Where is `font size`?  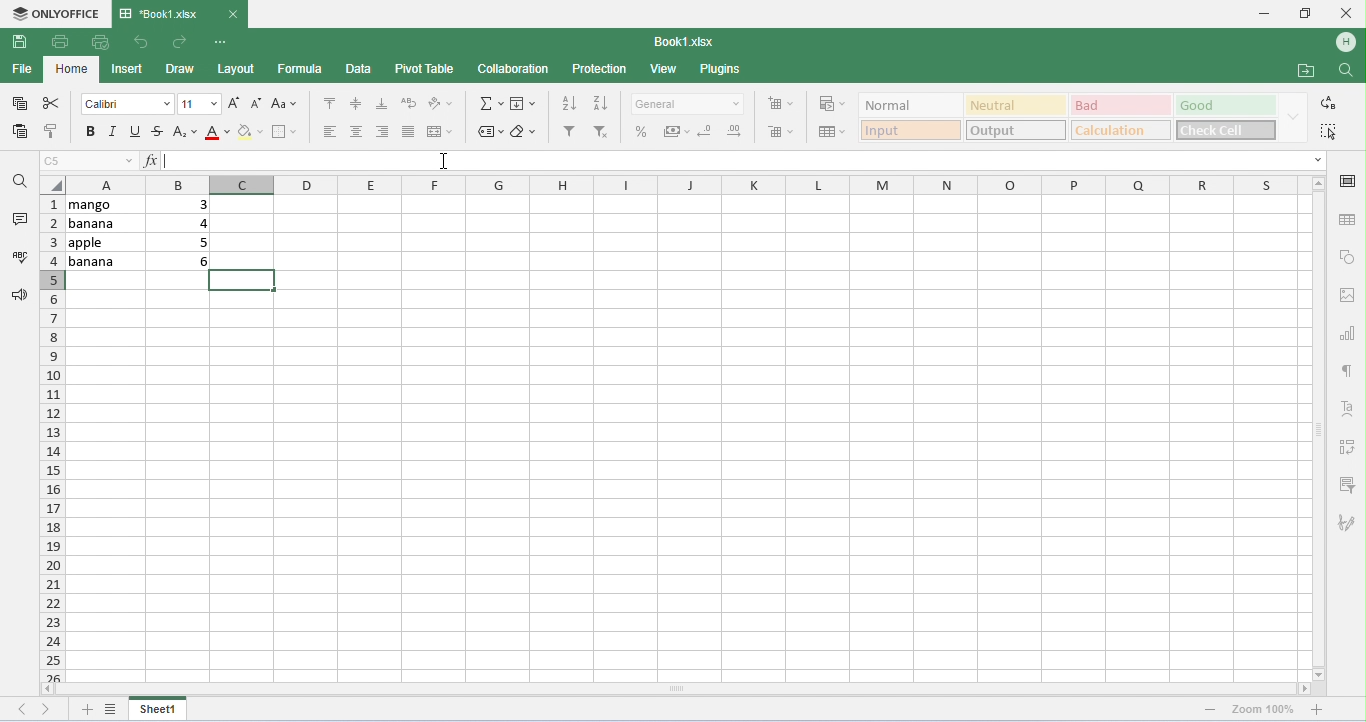
font size is located at coordinates (199, 104).